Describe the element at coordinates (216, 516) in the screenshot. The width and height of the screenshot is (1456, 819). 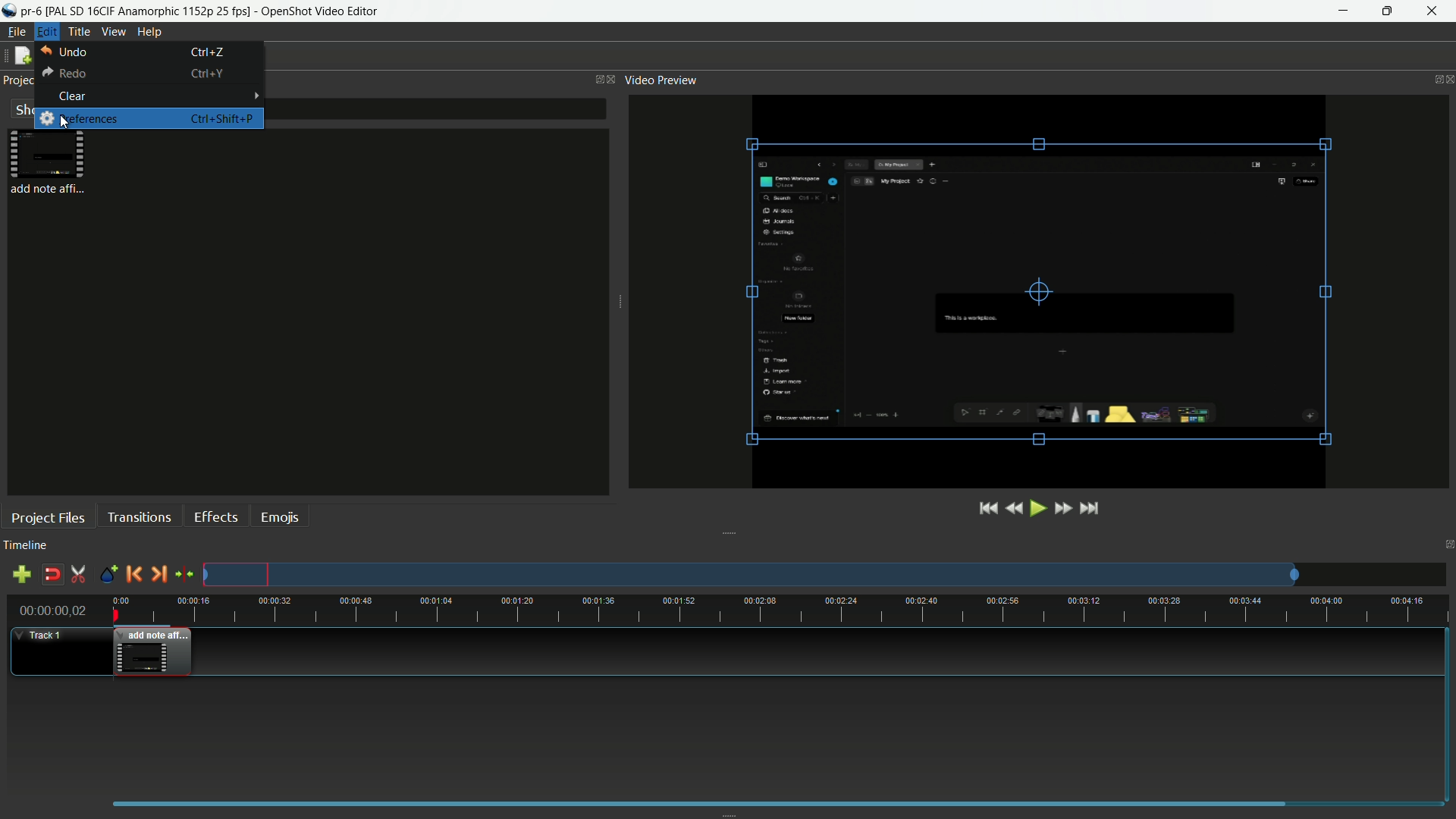
I see `effects` at that location.